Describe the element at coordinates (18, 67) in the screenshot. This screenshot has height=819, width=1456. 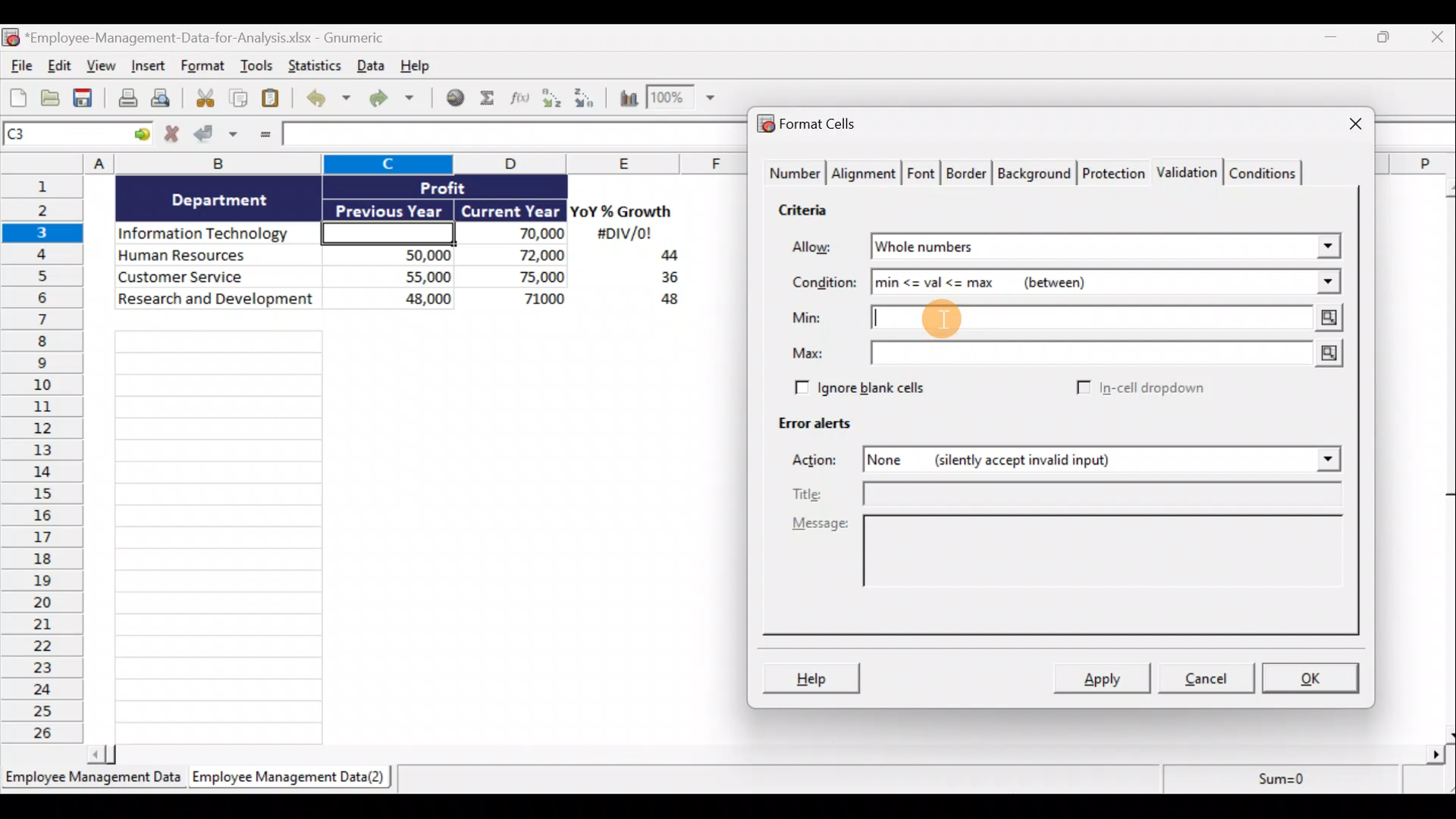
I see `File` at that location.